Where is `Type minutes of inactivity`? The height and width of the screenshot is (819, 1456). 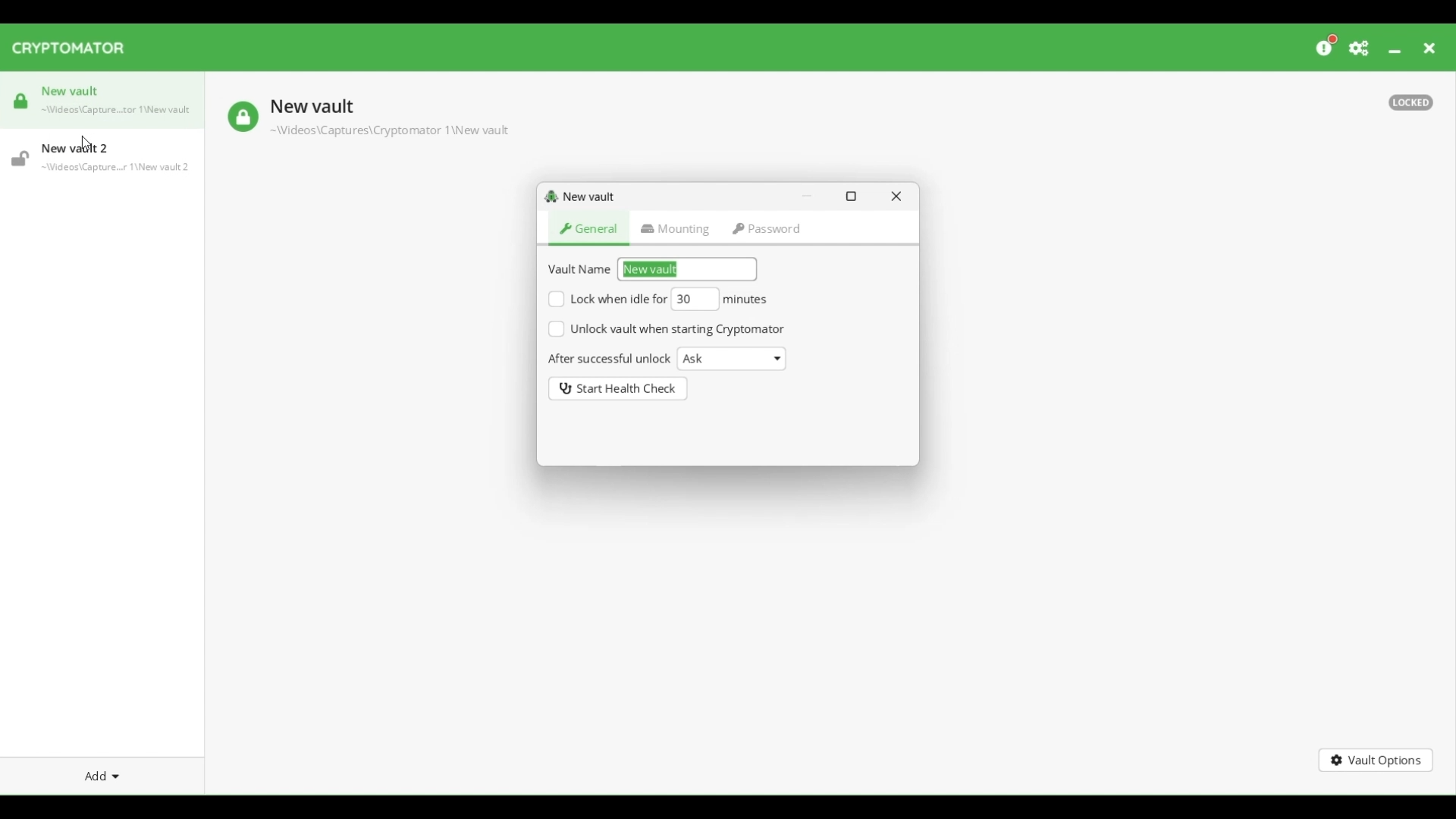 Type minutes of inactivity is located at coordinates (696, 298).